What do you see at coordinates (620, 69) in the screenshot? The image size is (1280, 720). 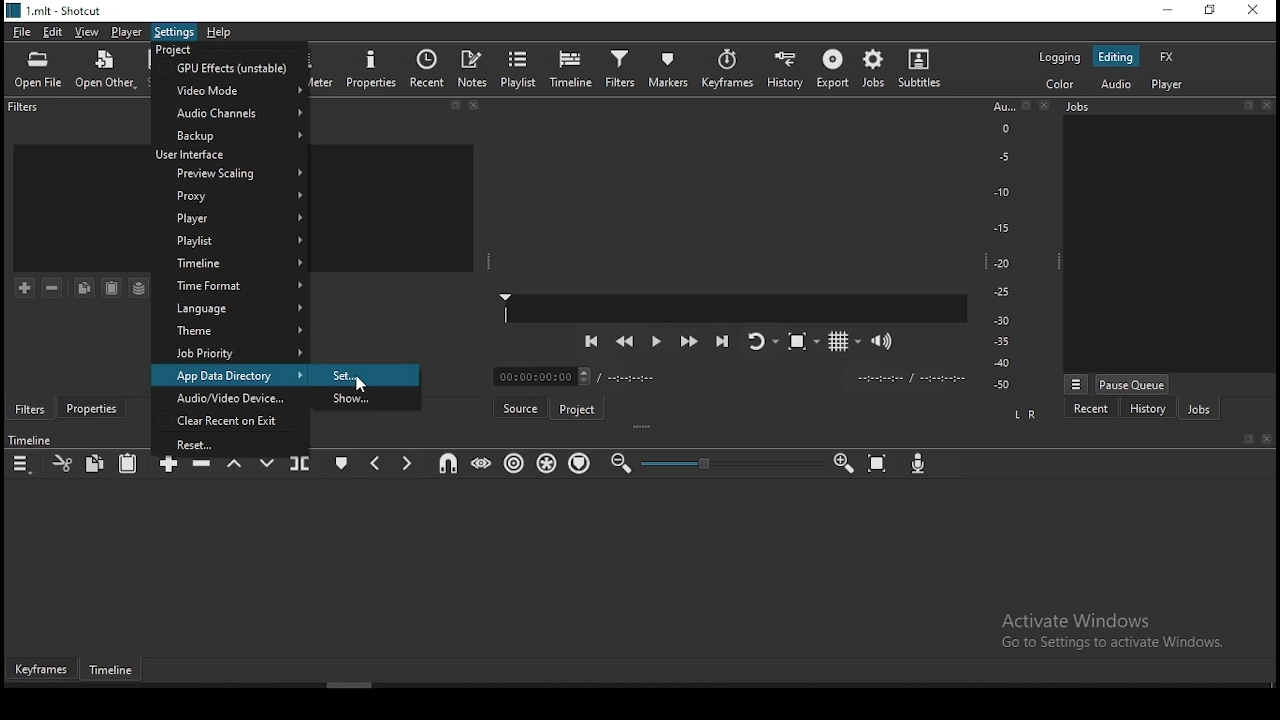 I see `filters` at bounding box center [620, 69].